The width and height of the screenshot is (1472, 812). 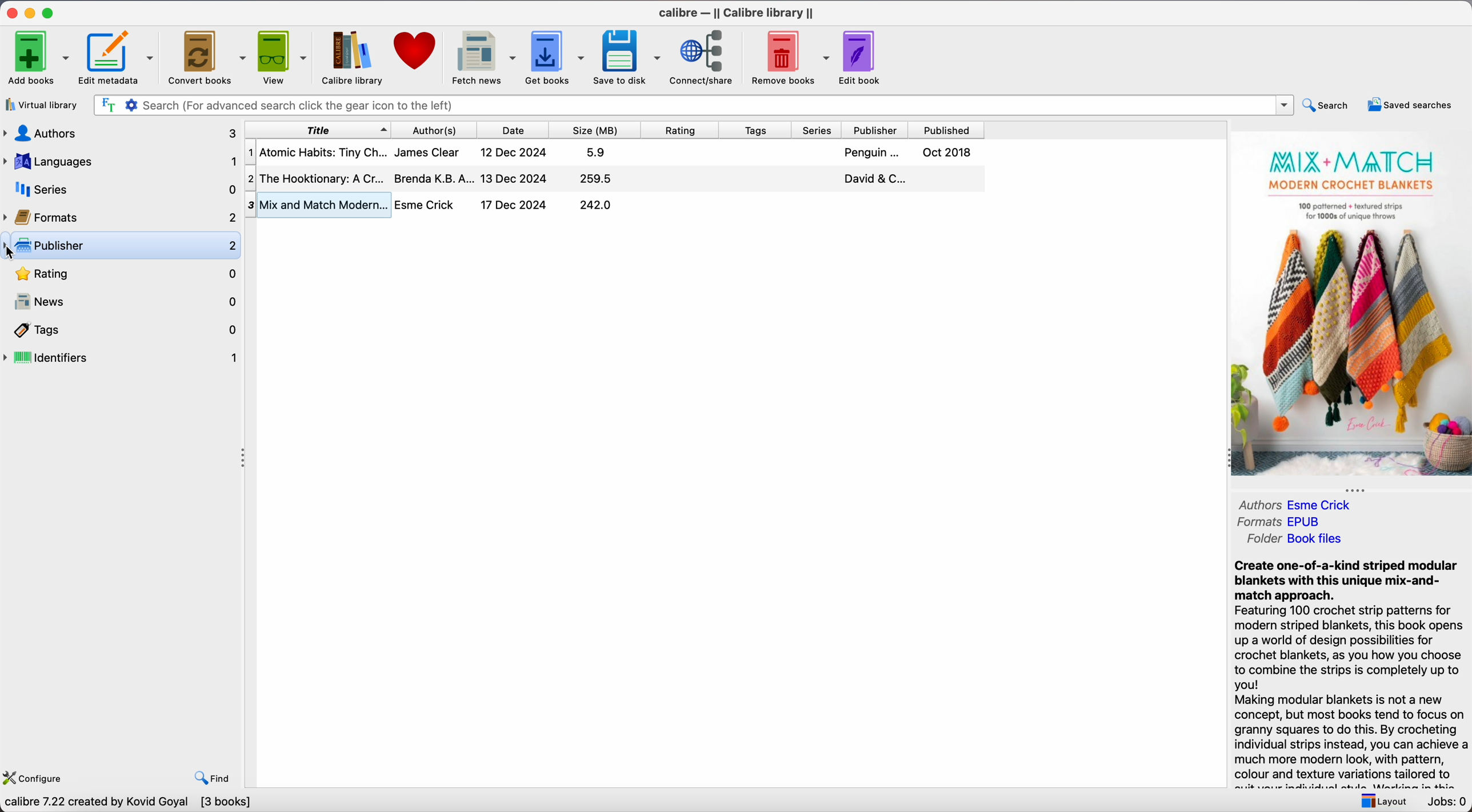 What do you see at coordinates (517, 130) in the screenshot?
I see `date` at bounding box center [517, 130].